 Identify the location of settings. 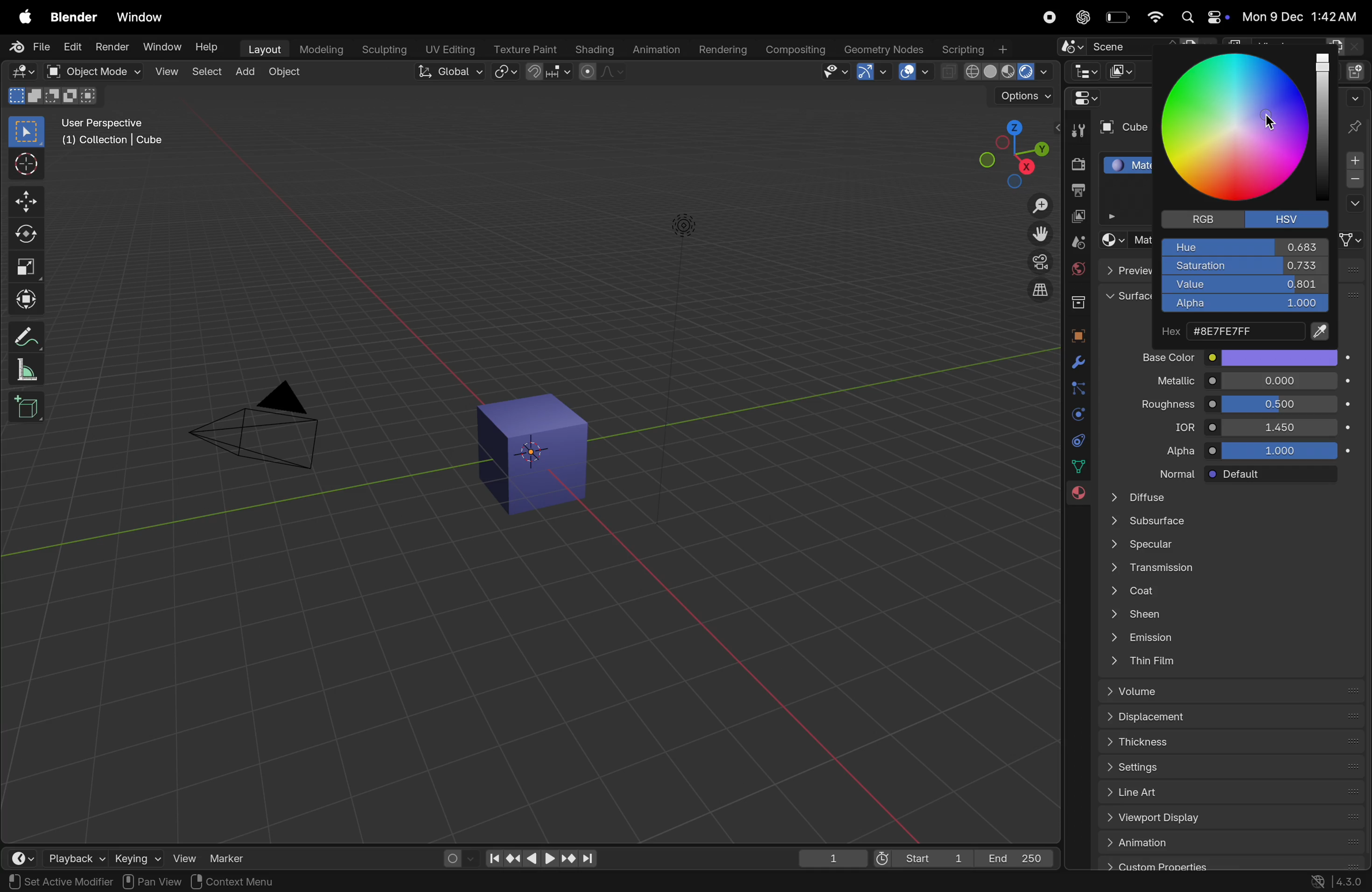
(1227, 765).